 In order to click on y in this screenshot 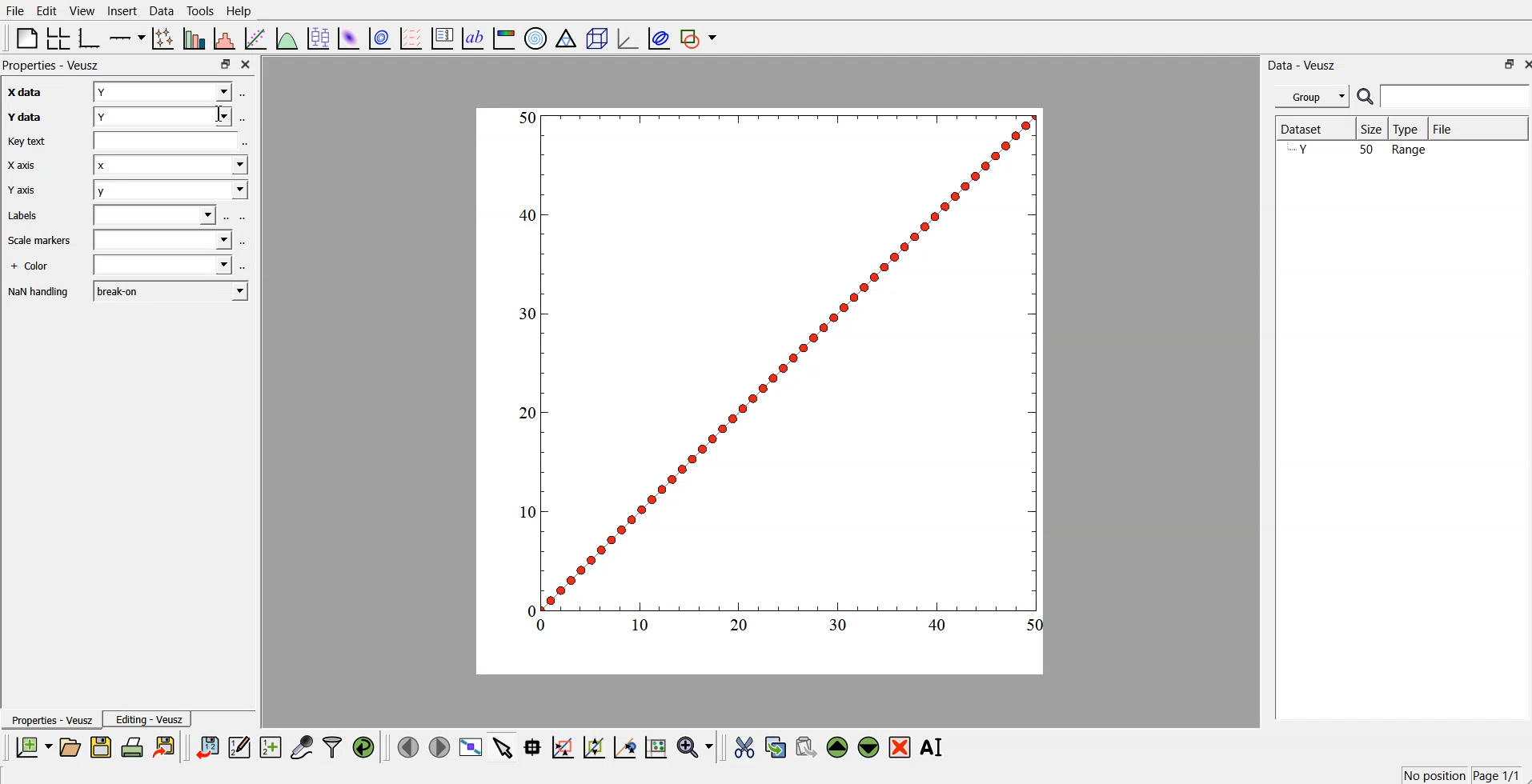, I will do `click(161, 118)`.